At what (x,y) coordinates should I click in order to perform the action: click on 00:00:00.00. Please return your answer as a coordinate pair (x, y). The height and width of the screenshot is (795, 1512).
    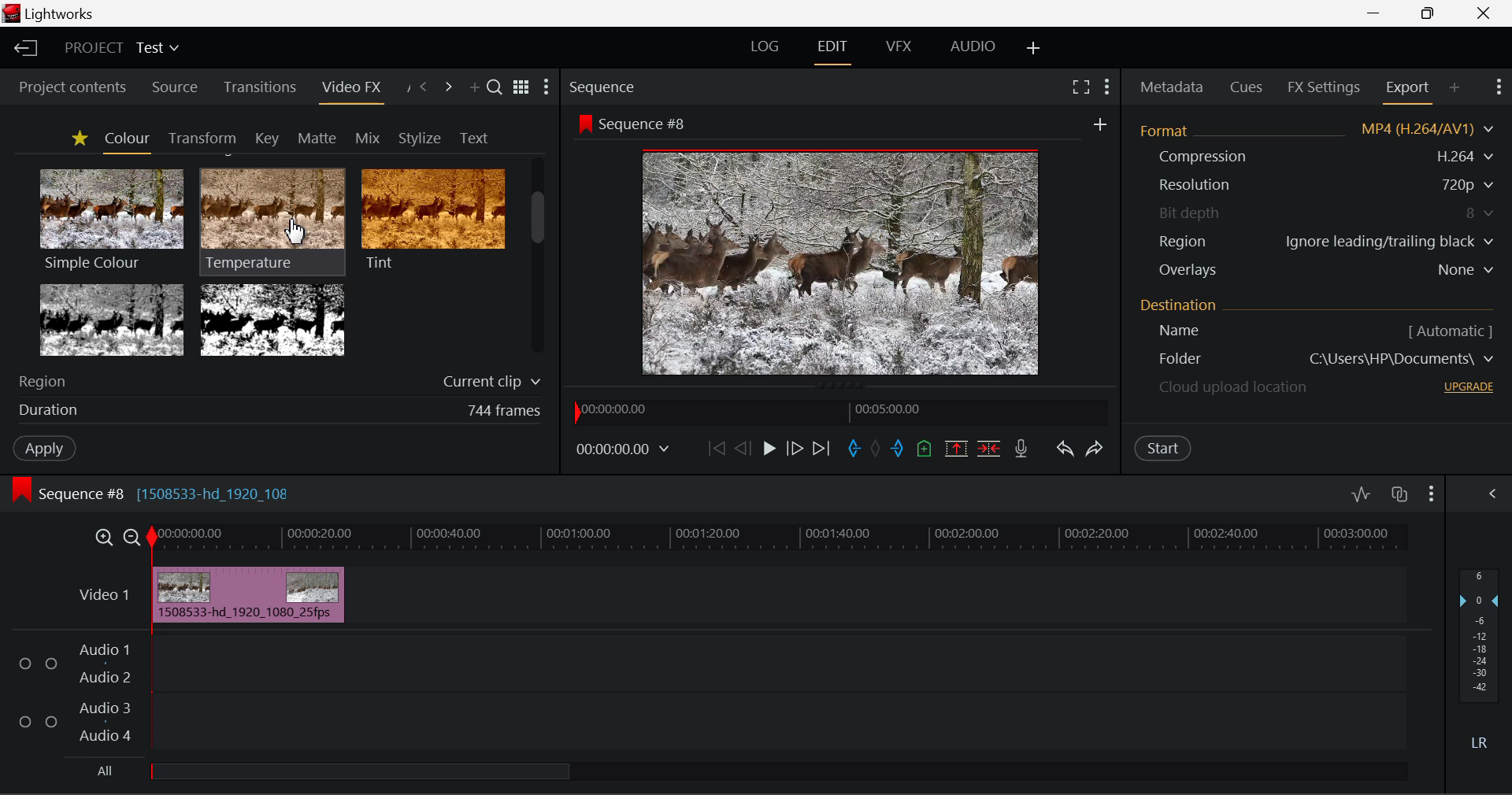
    Looking at the image, I should click on (617, 410).